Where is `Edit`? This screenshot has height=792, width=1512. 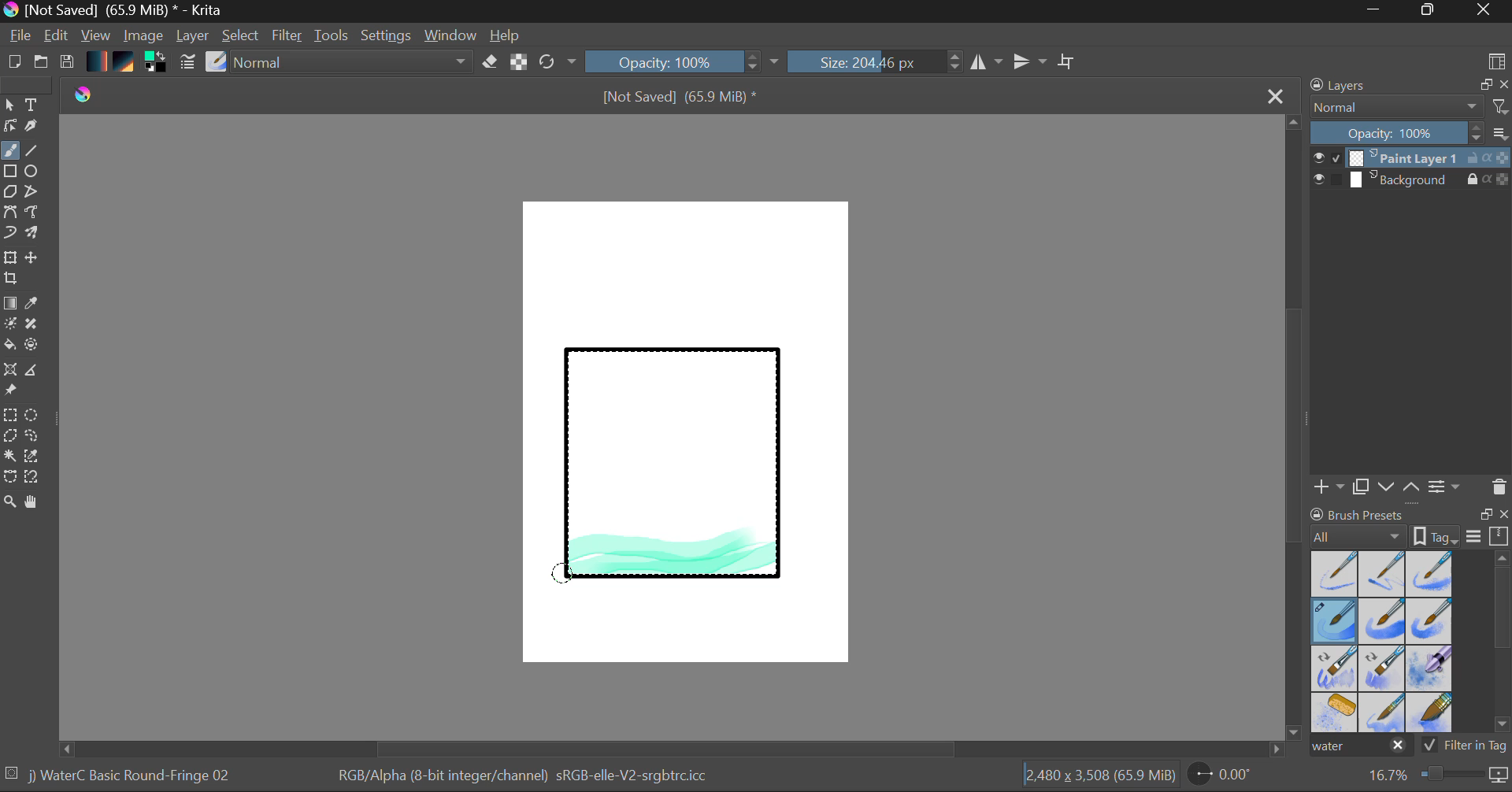
Edit is located at coordinates (57, 37).